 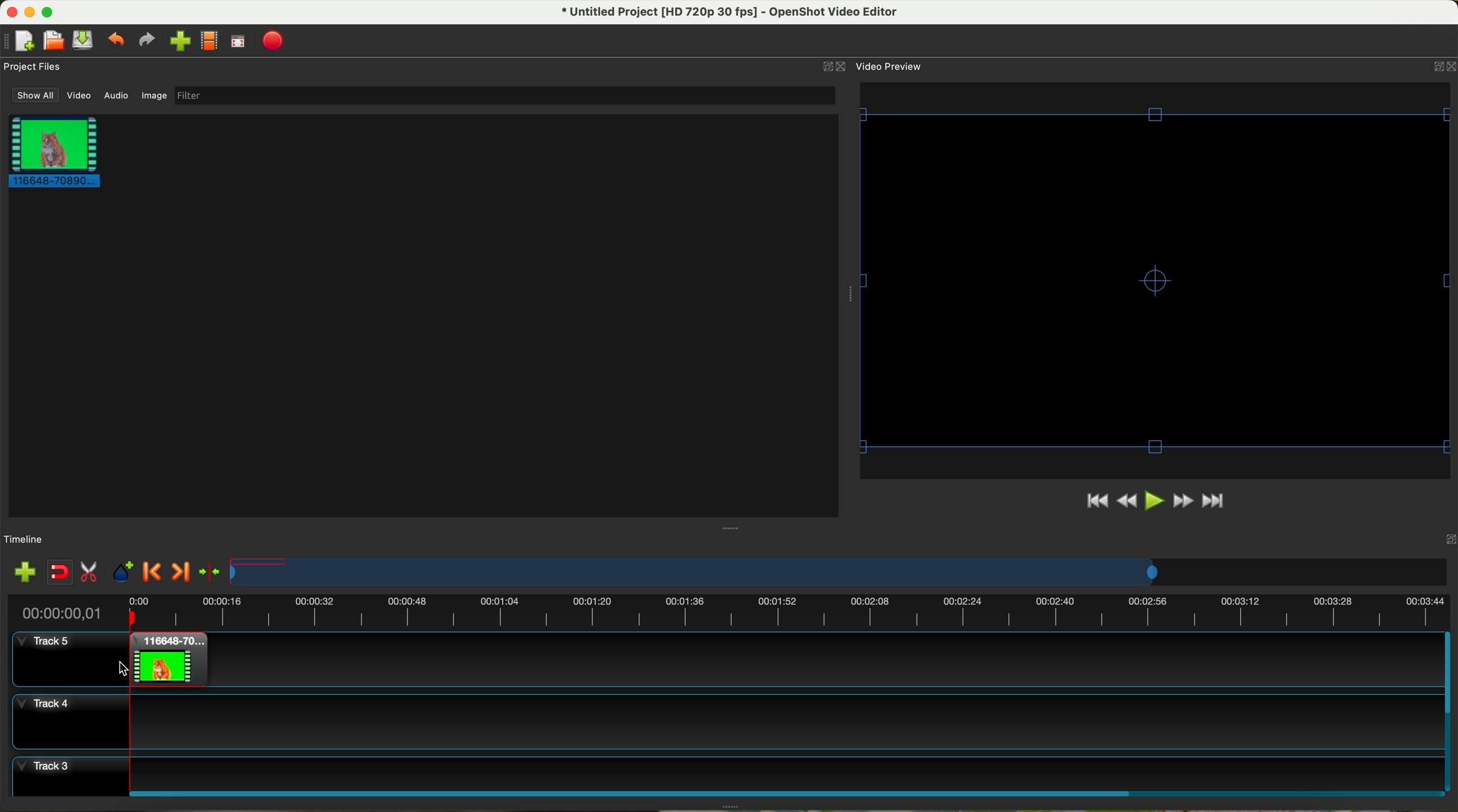 I want to click on timeline, so click(x=24, y=540).